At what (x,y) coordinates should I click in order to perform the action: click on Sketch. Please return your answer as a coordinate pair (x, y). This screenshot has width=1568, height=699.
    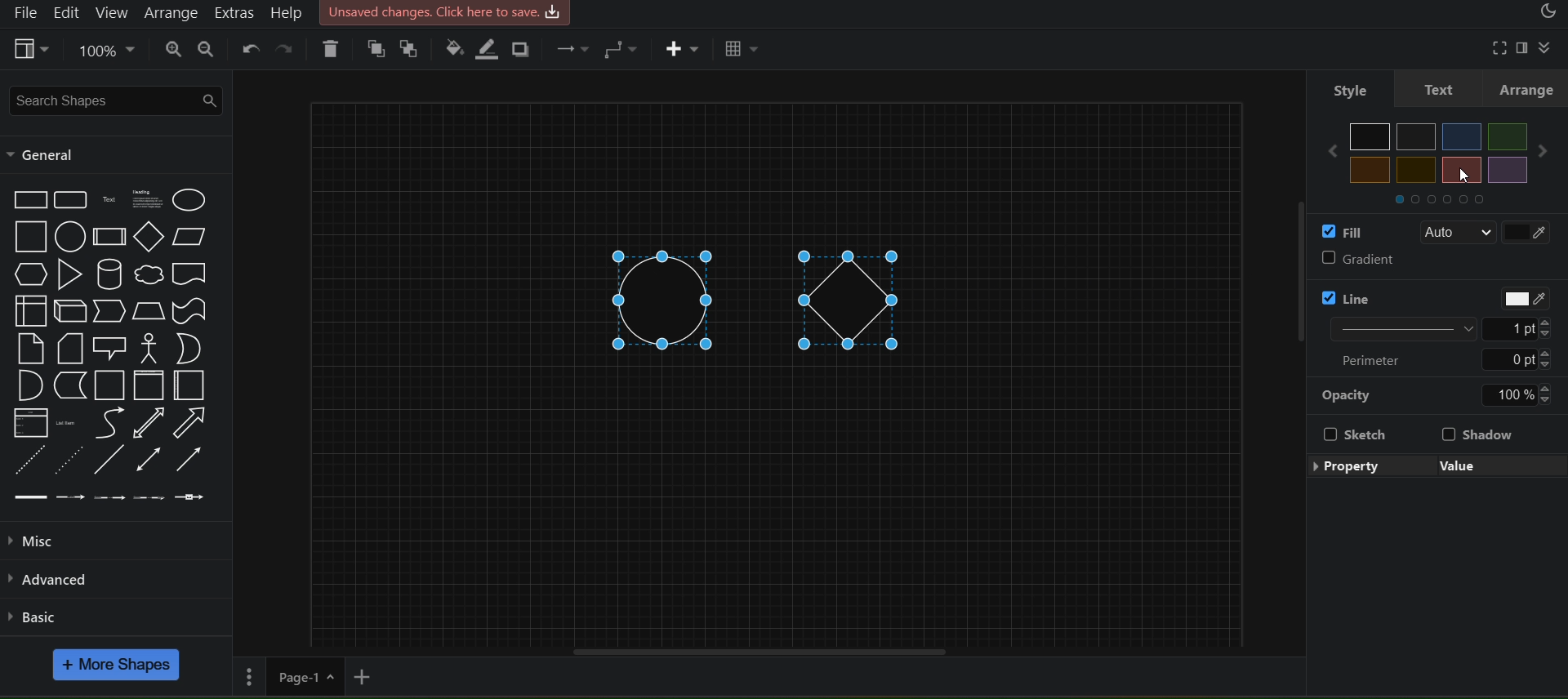
    Looking at the image, I should click on (1365, 438).